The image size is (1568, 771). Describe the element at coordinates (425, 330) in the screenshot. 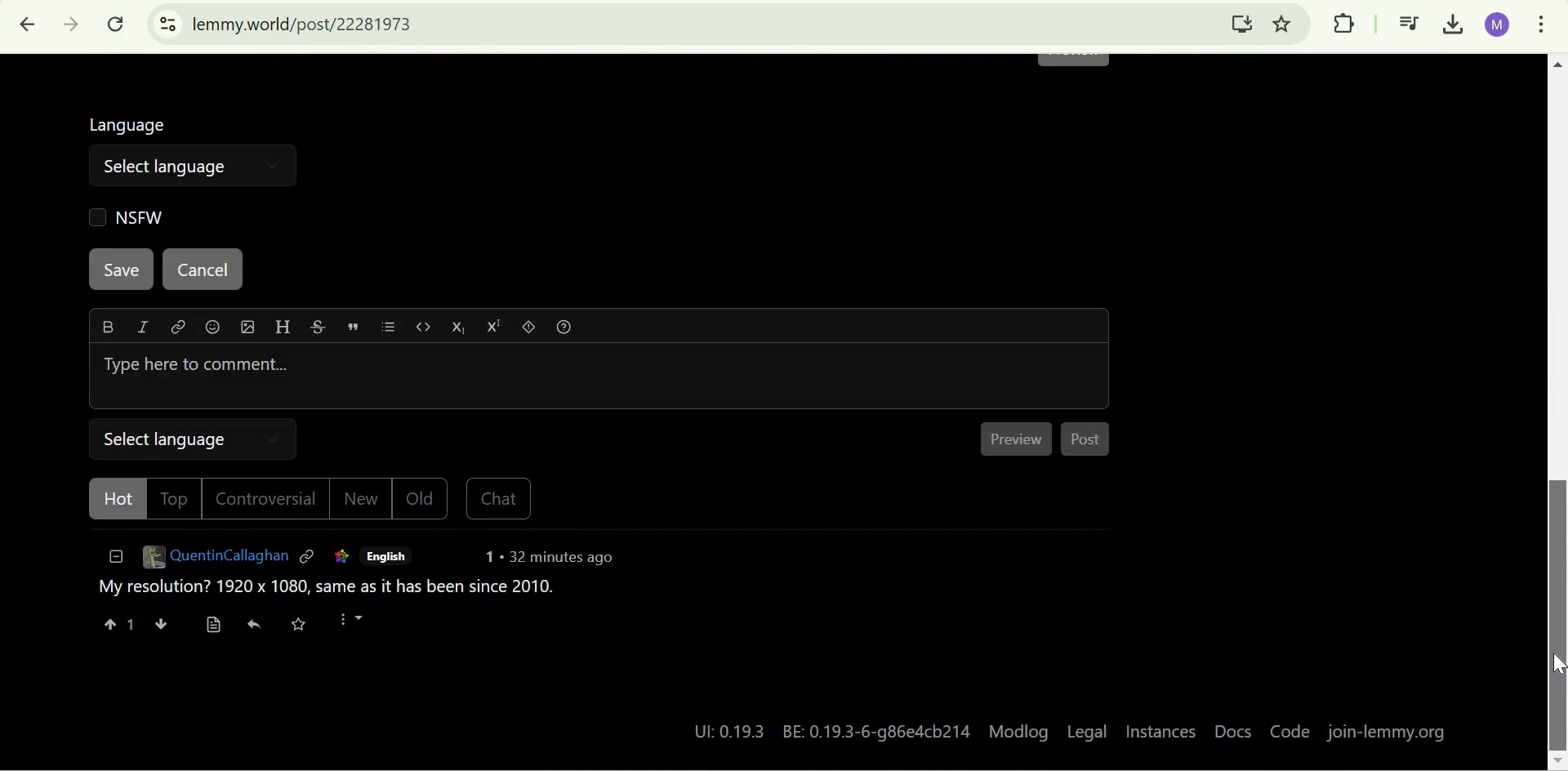

I see `code` at that location.